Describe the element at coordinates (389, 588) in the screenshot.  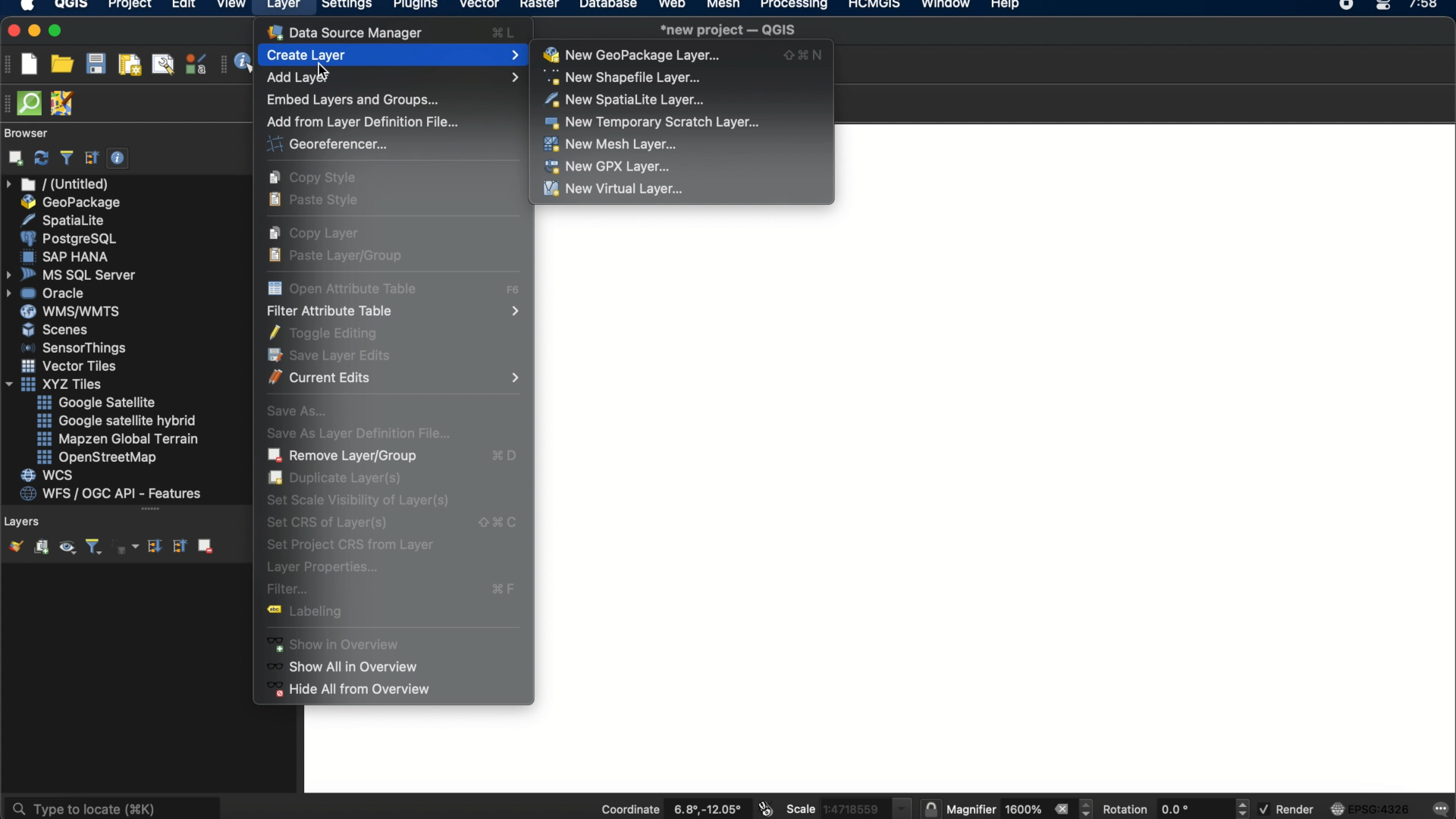
I see `filter` at that location.